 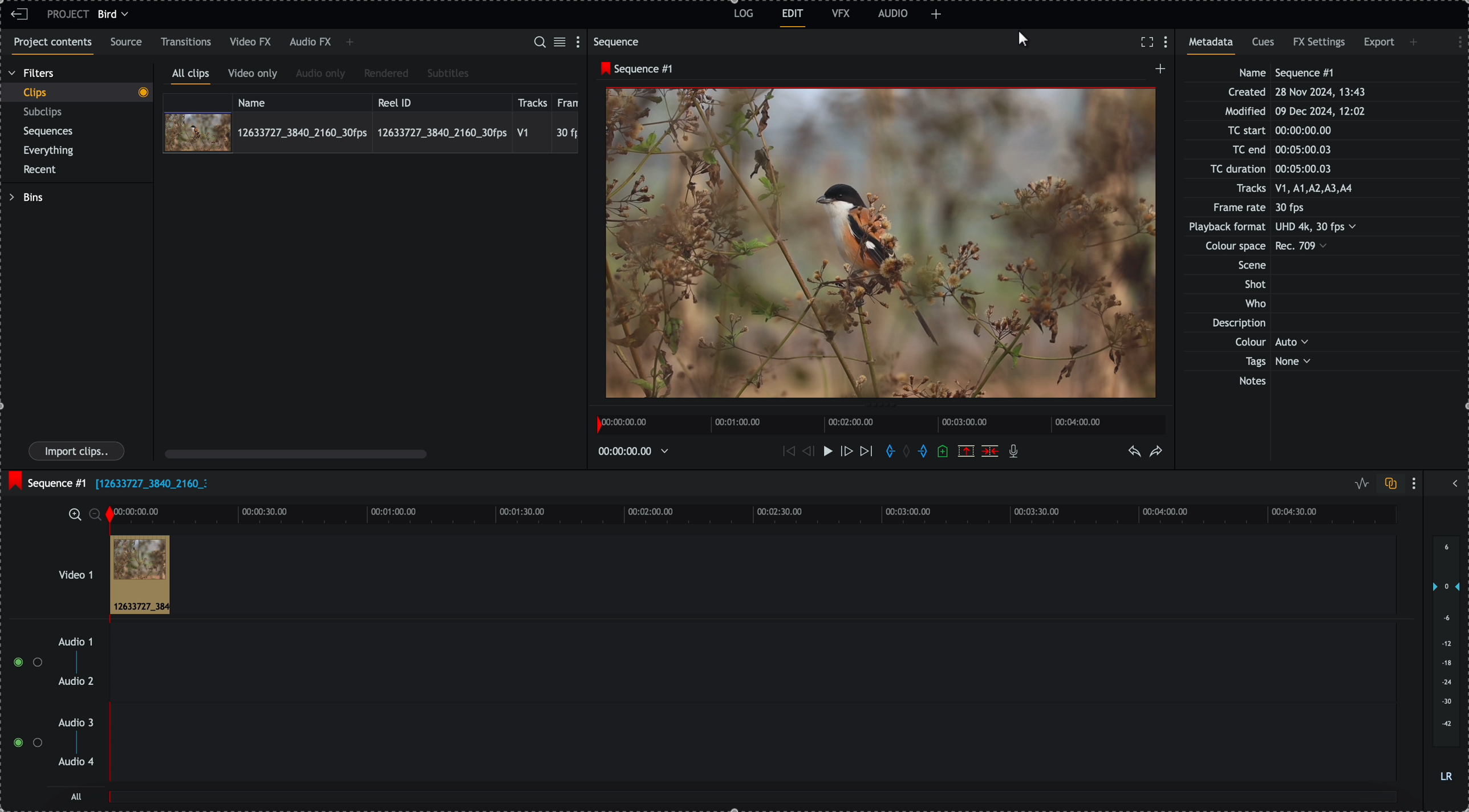 I want to click on add panel, so click(x=936, y=14).